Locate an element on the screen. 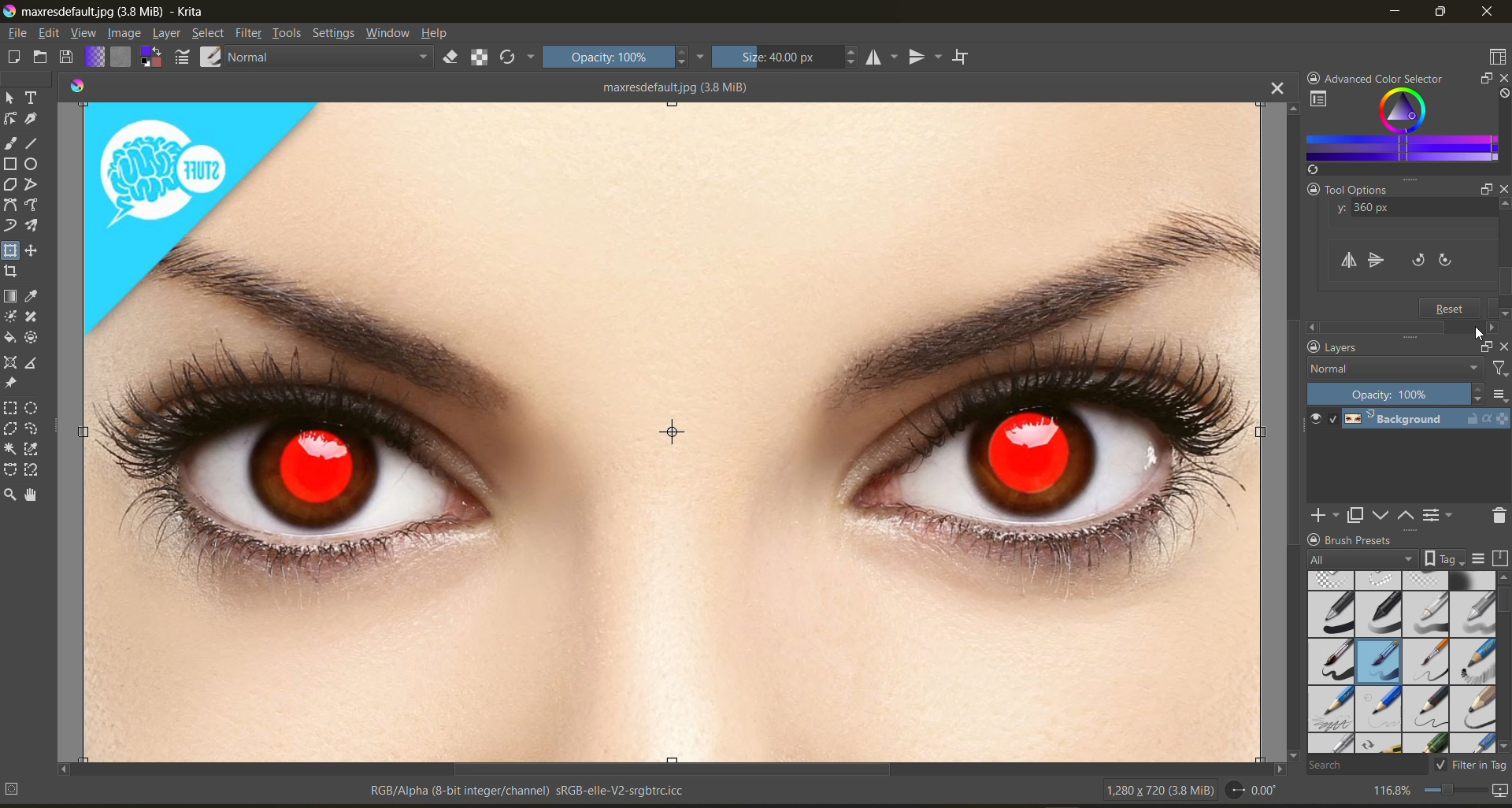 This screenshot has width=1512, height=808. tool is located at coordinates (32, 206).